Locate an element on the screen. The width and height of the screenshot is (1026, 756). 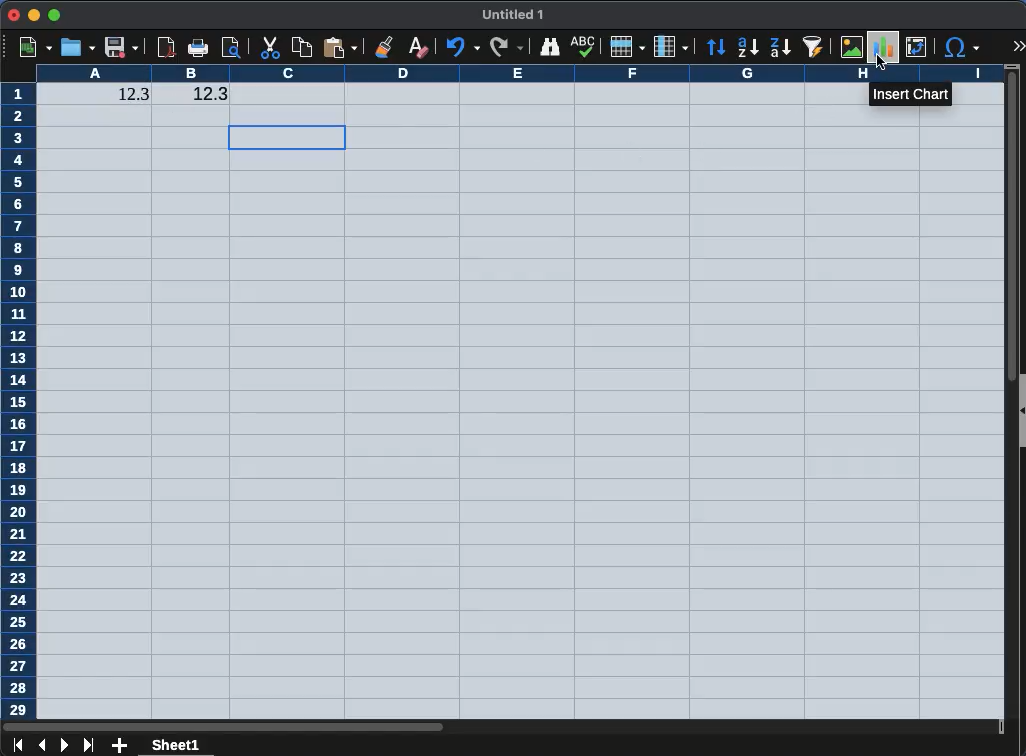
cell selection  is located at coordinates (287, 138).